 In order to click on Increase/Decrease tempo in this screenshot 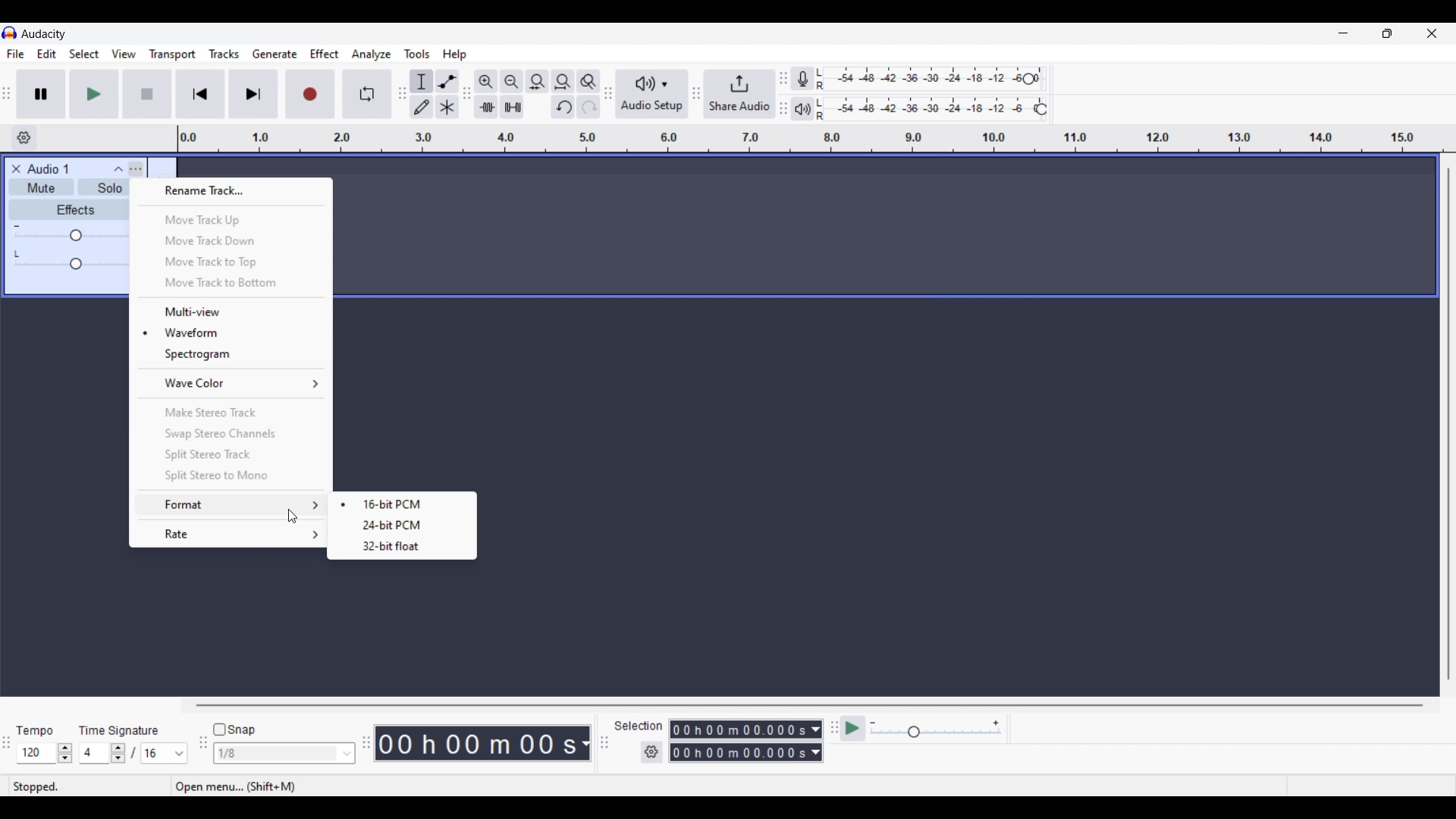, I will do `click(65, 753)`.